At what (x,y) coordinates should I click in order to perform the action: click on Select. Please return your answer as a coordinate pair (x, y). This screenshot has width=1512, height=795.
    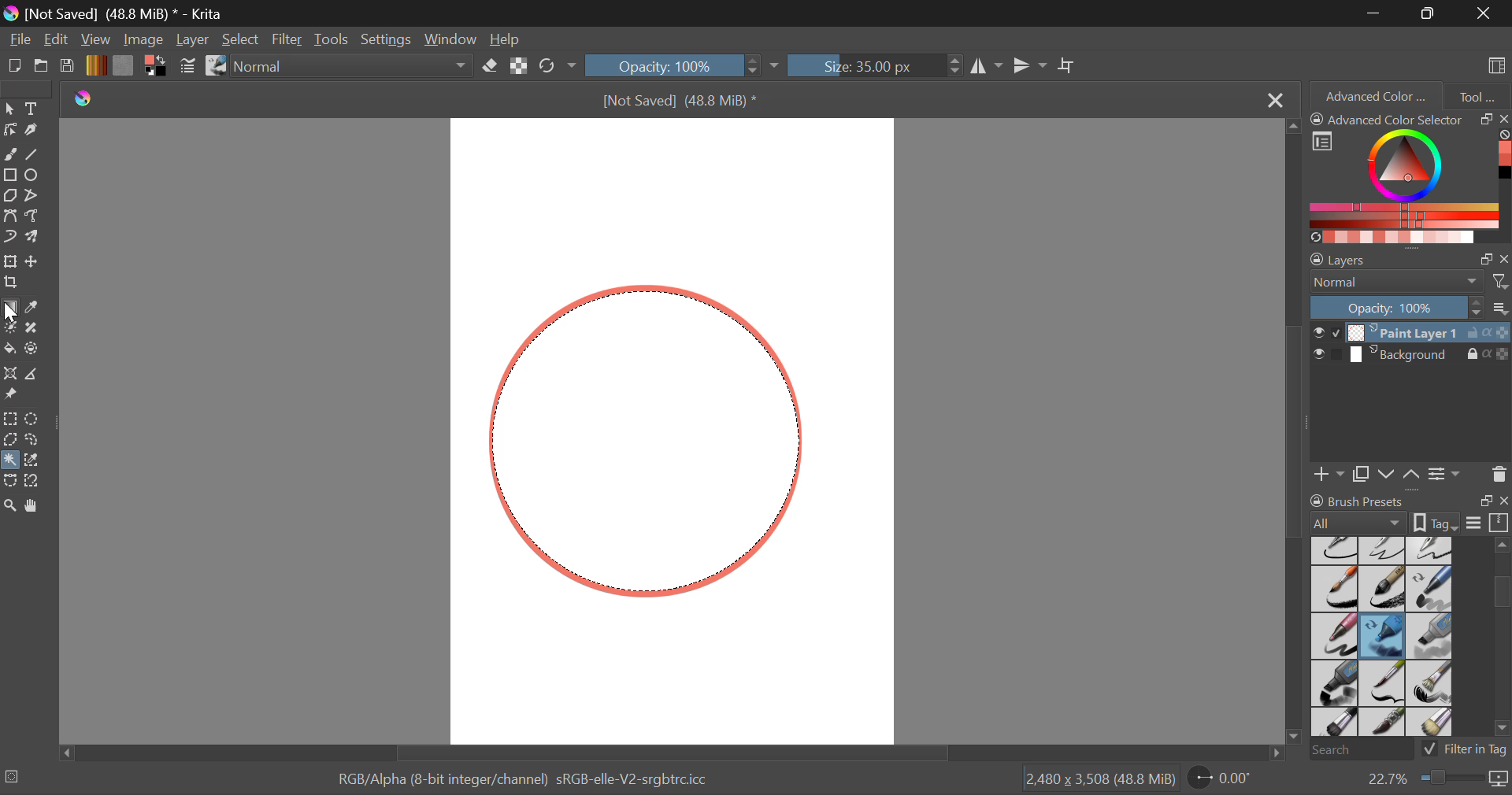
    Looking at the image, I should click on (242, 41).